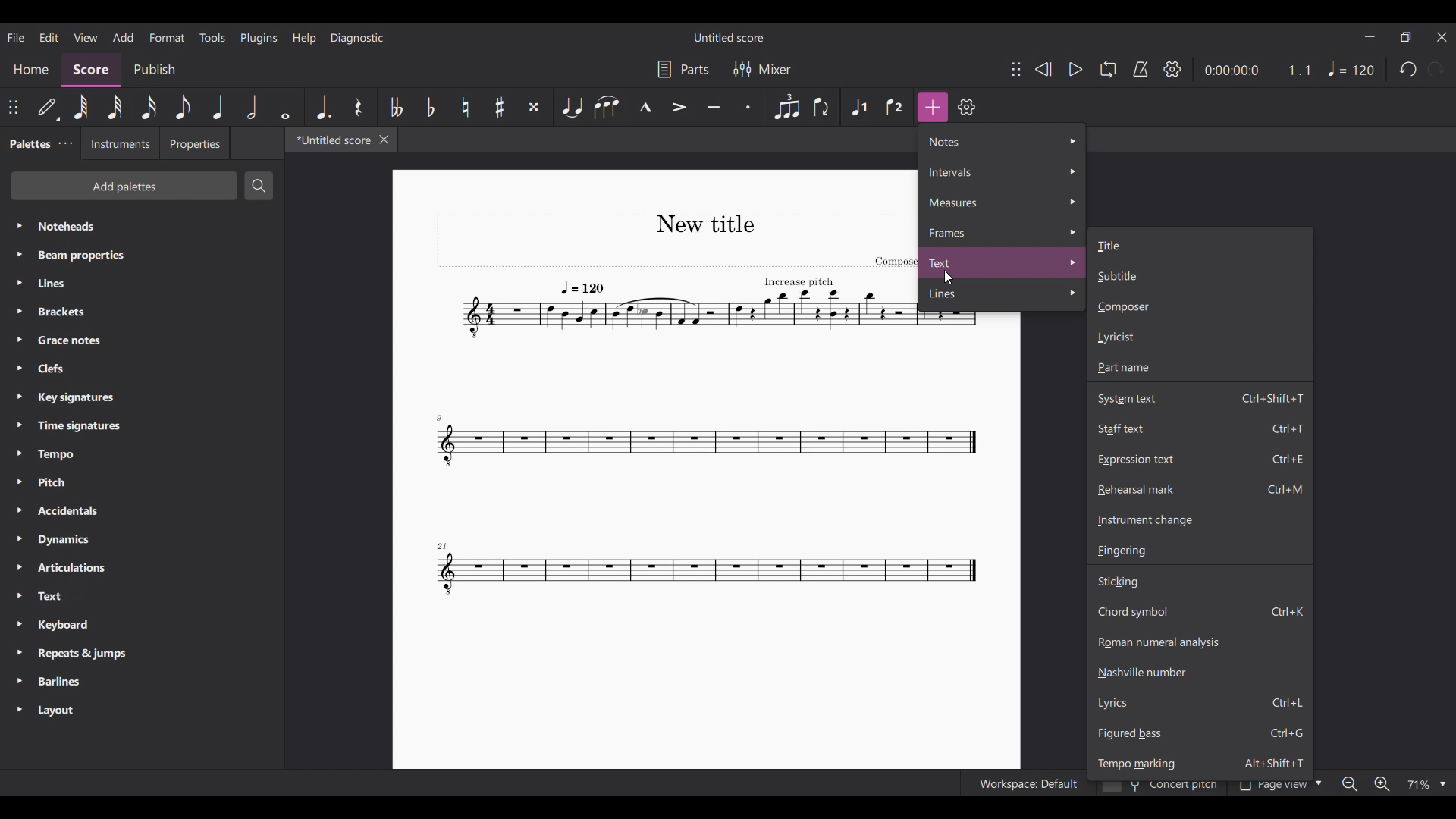 This screenshot has height=819, width=1456. I want to click on Palettes, so click(27, 145).